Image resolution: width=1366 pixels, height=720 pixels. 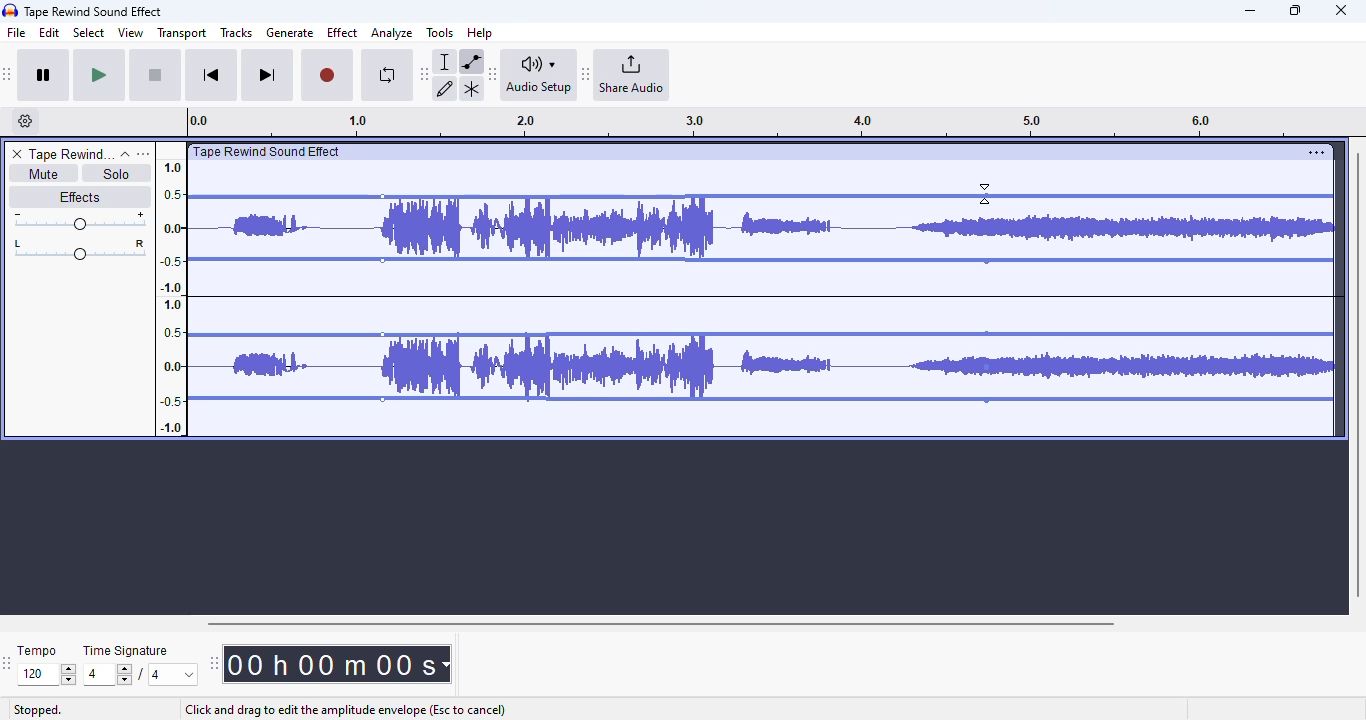 What do you see at coordinates (71, 155) in the screenshot?
I see `track name` at bounding box center [71, 155].